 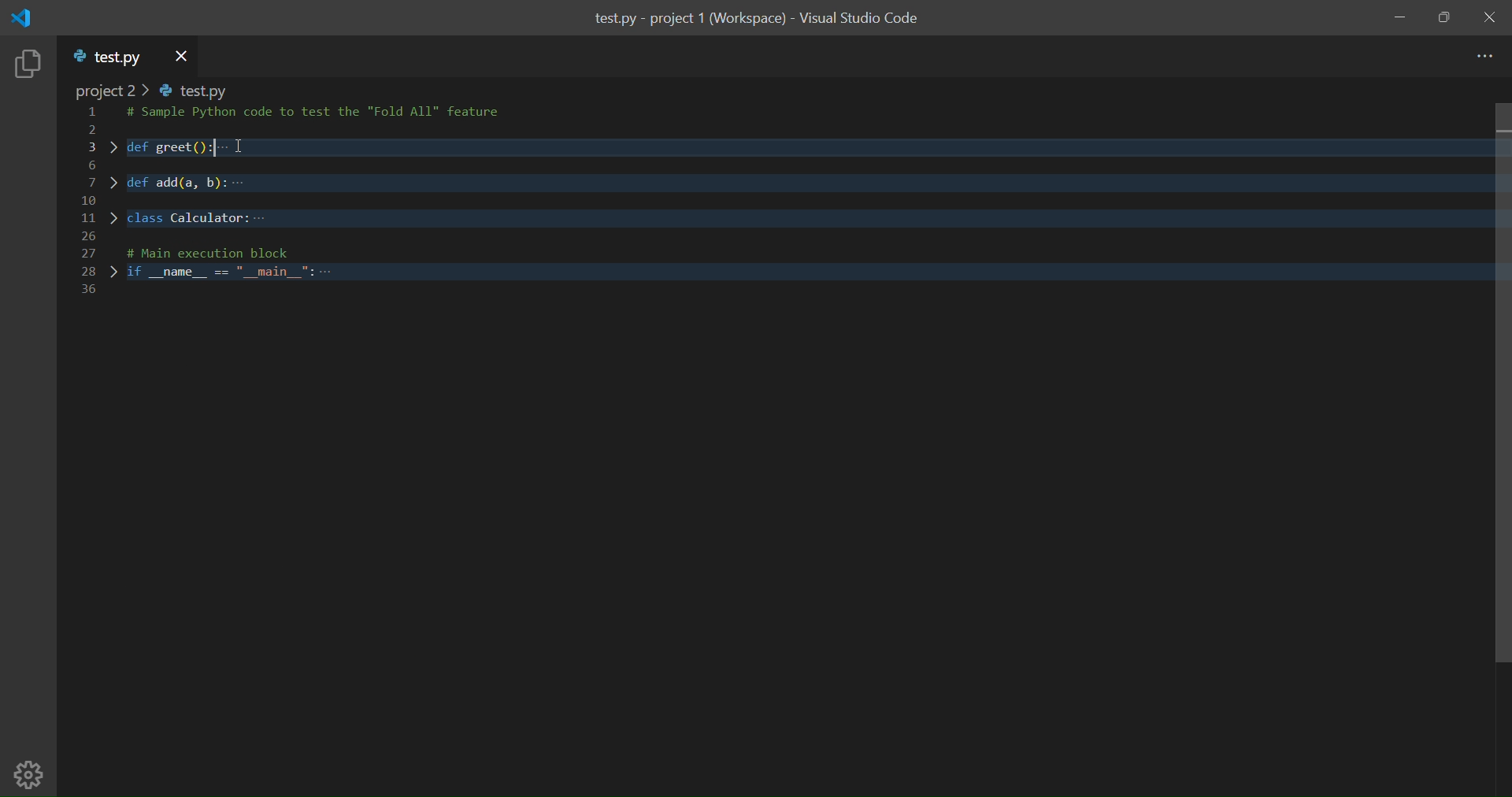 I want to click on Explorer, so click(x=28, y=65).